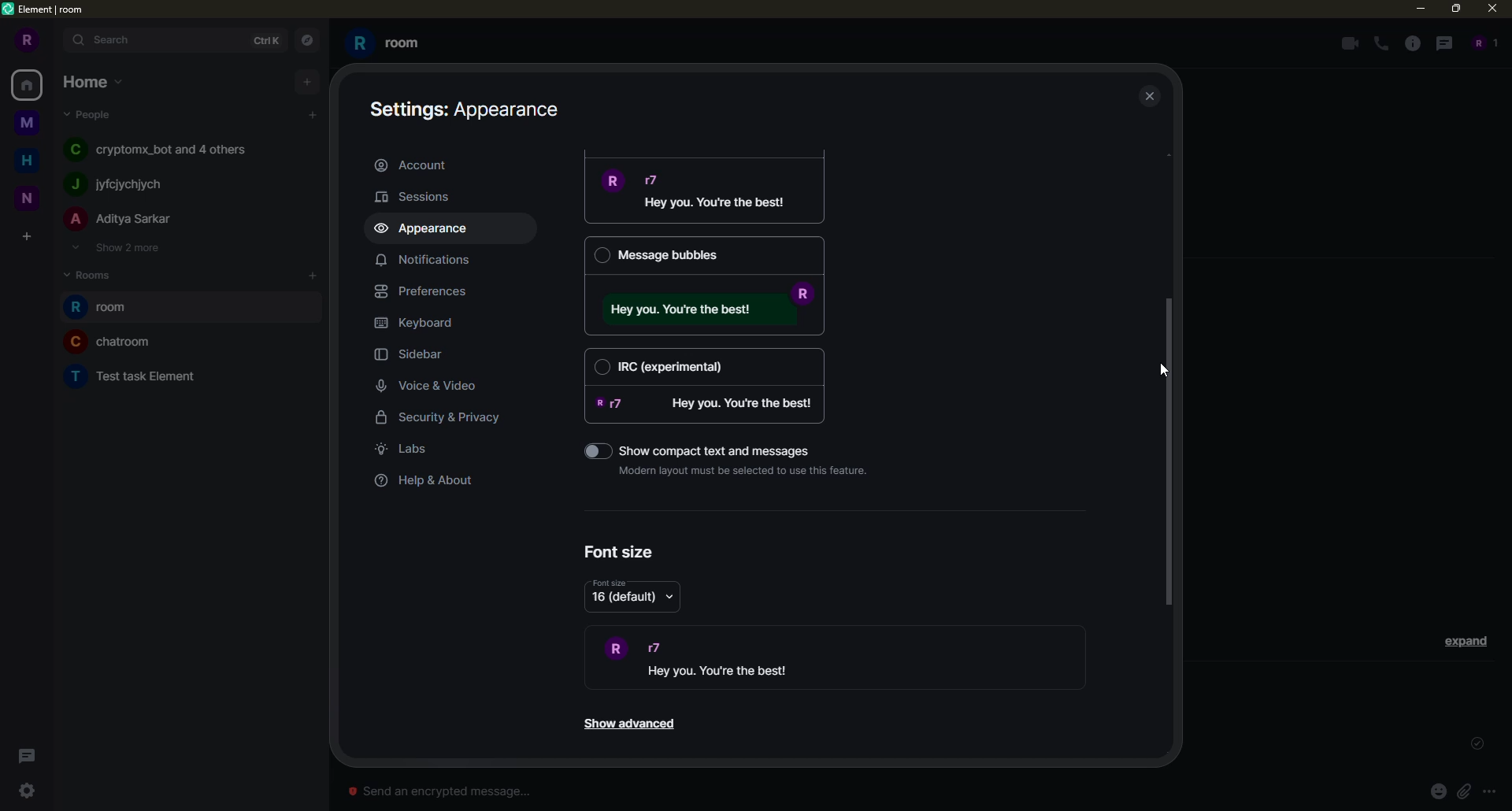 This screenshot has height=811, width=1512. I want to click on show 2 more, so click(115, 247).